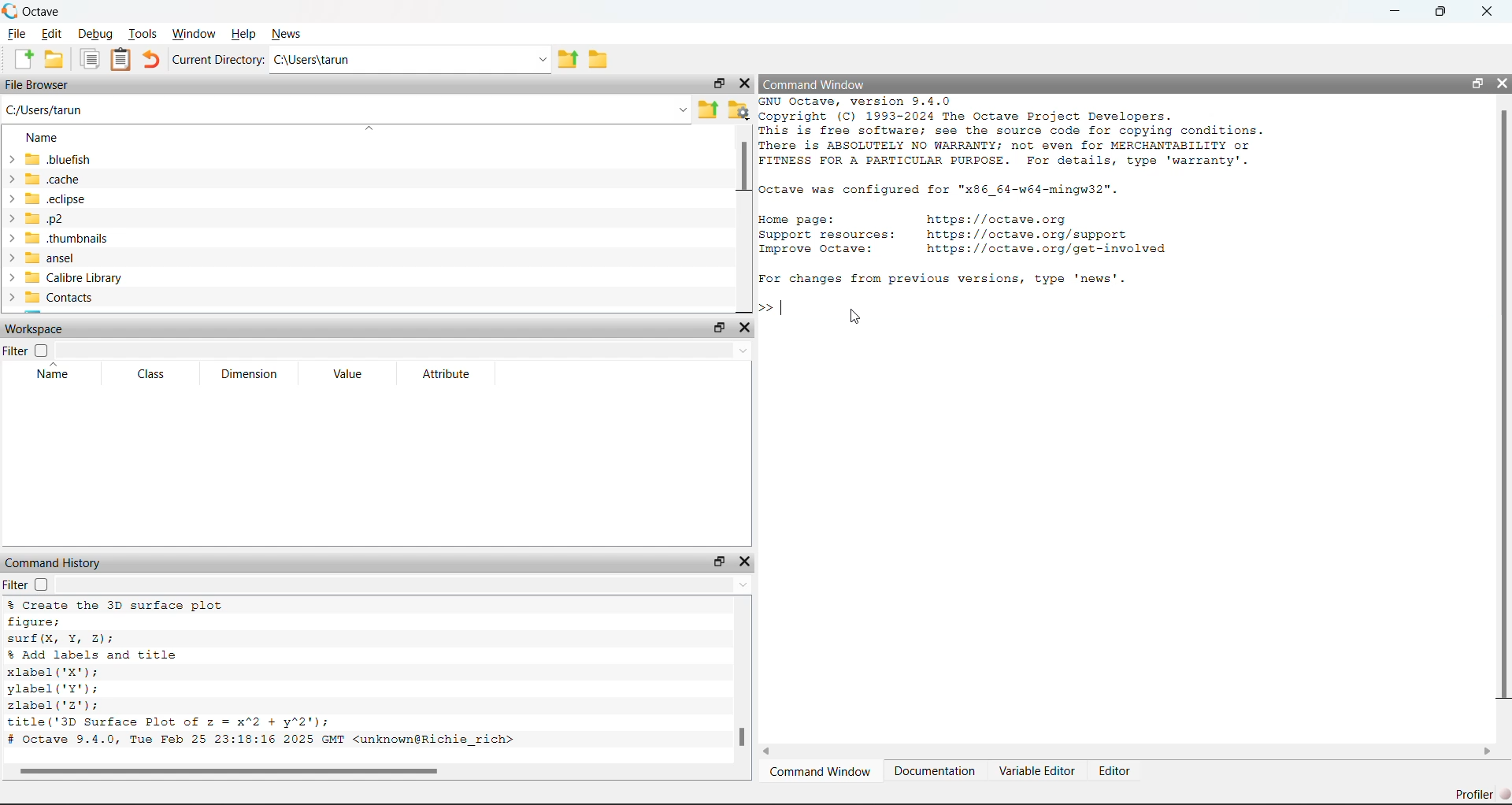 The image size is (1512, 805). I want to click on Tools, so click(146, 33).